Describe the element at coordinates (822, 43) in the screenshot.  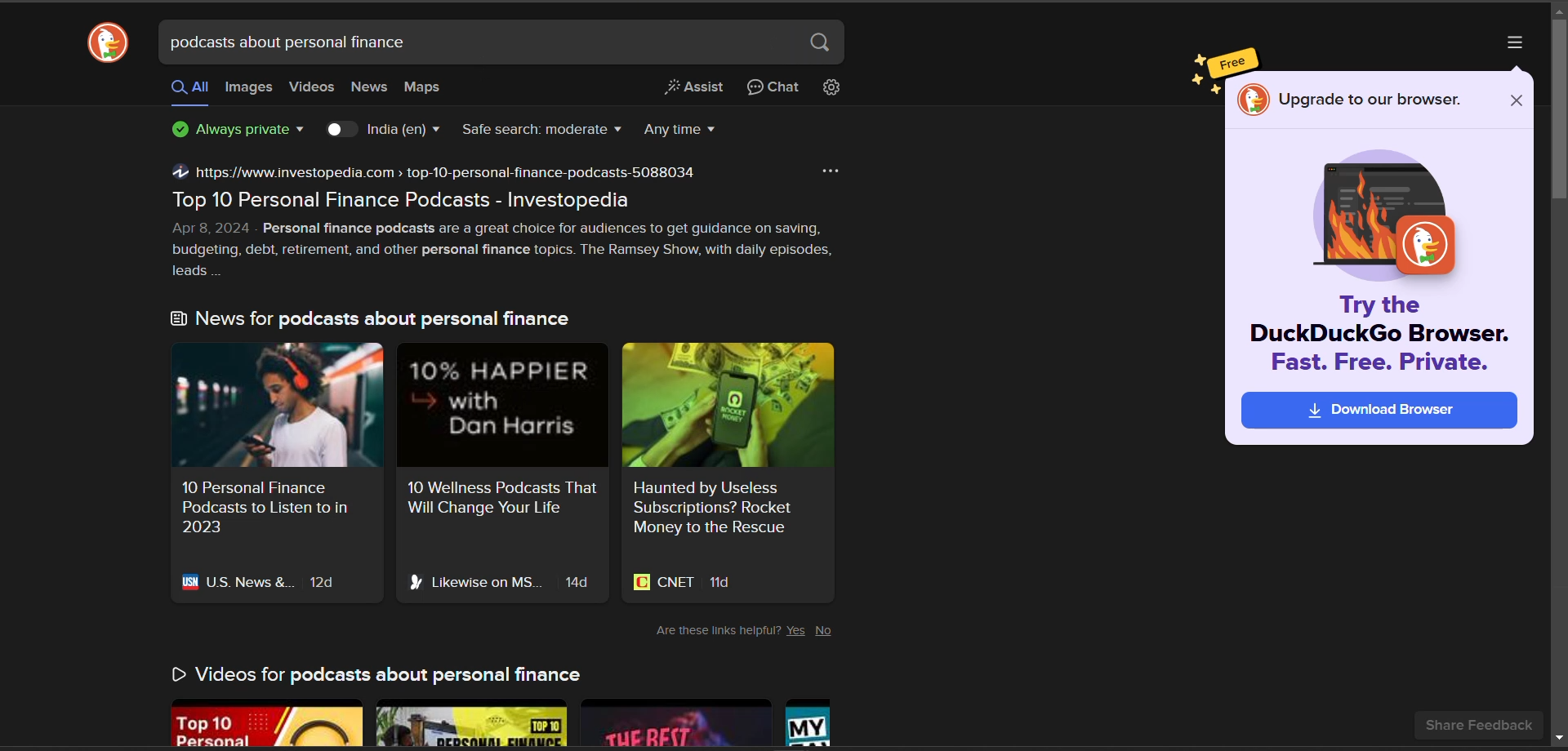
I see `search` at that location.